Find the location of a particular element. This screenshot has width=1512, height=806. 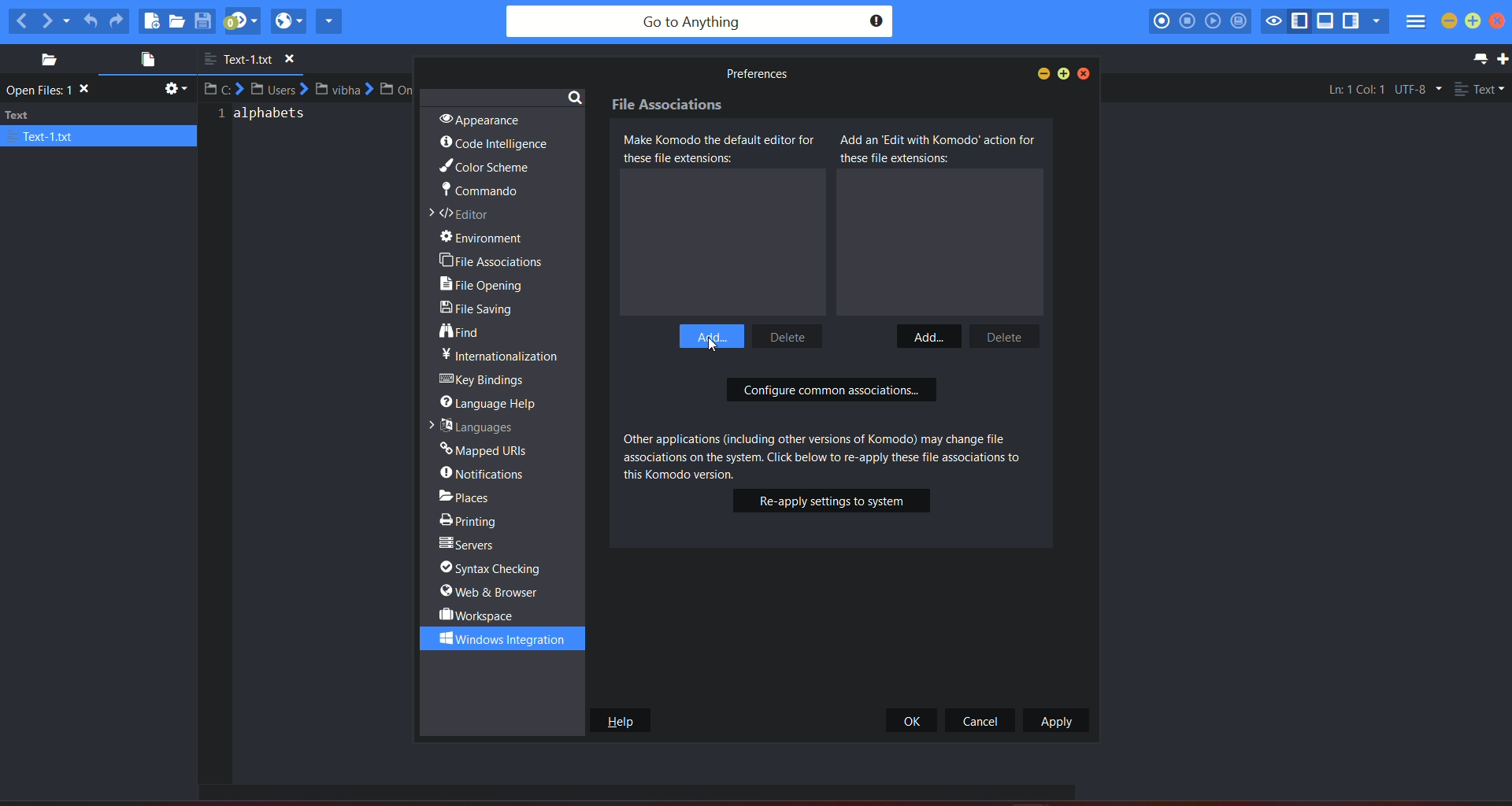

redo is located at coordinates (117, 20).